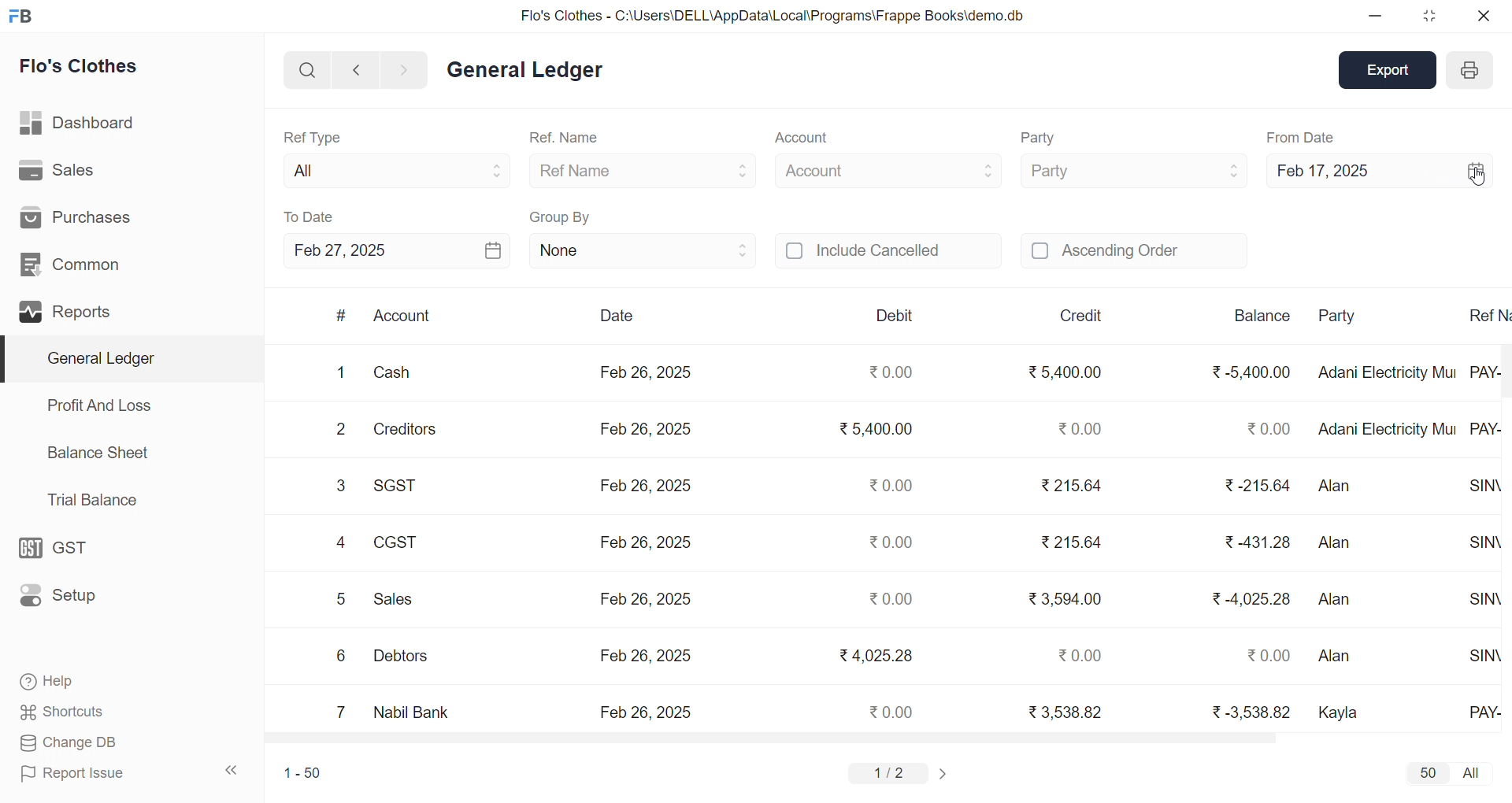 This screenshot has height=803, width=1512. I want to click on Nabil Bank, so click(411, 709).